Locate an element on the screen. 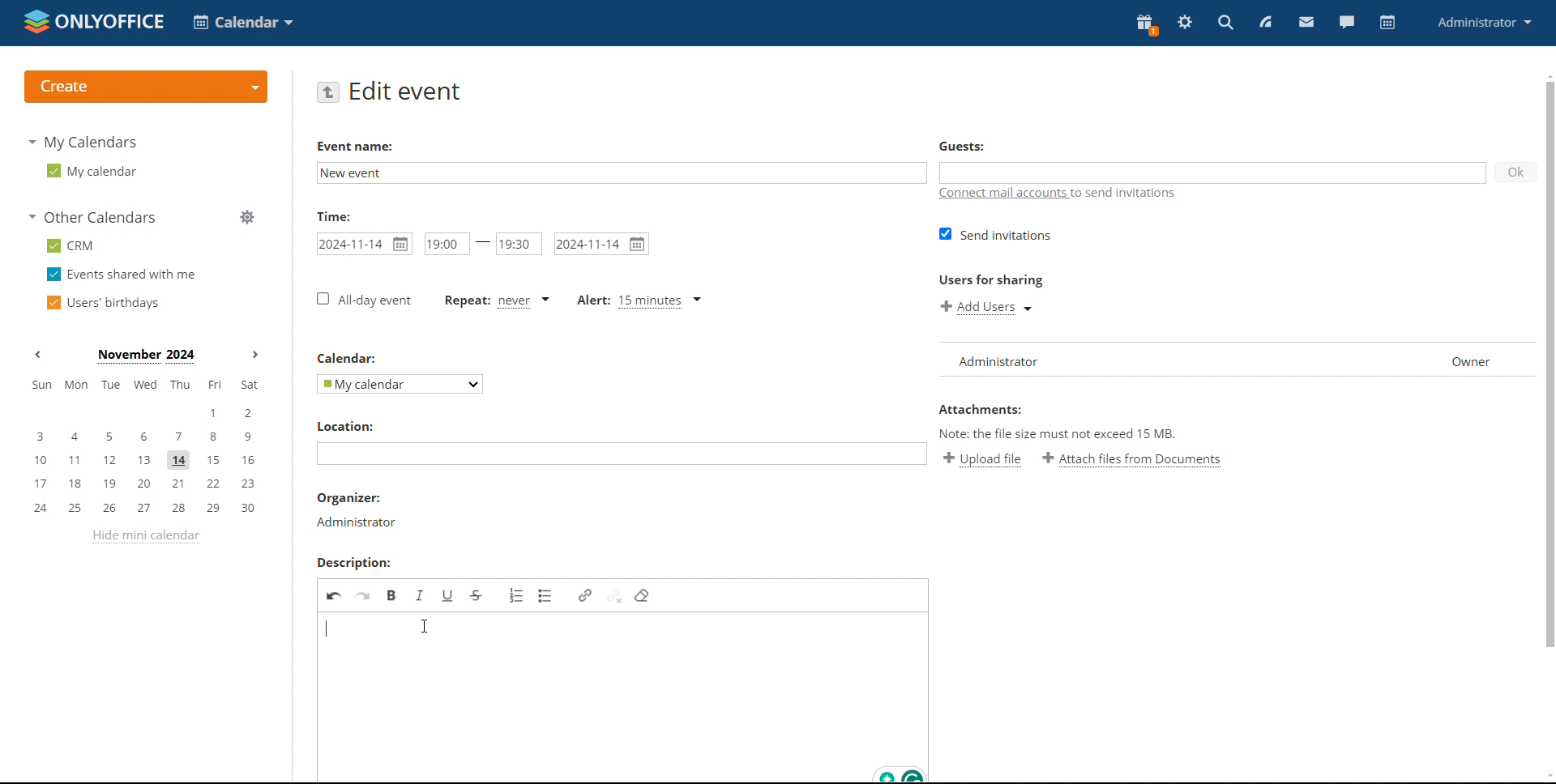 The width and height of the screenshot is (1556, 784). time is located at coordinates (339, 215).